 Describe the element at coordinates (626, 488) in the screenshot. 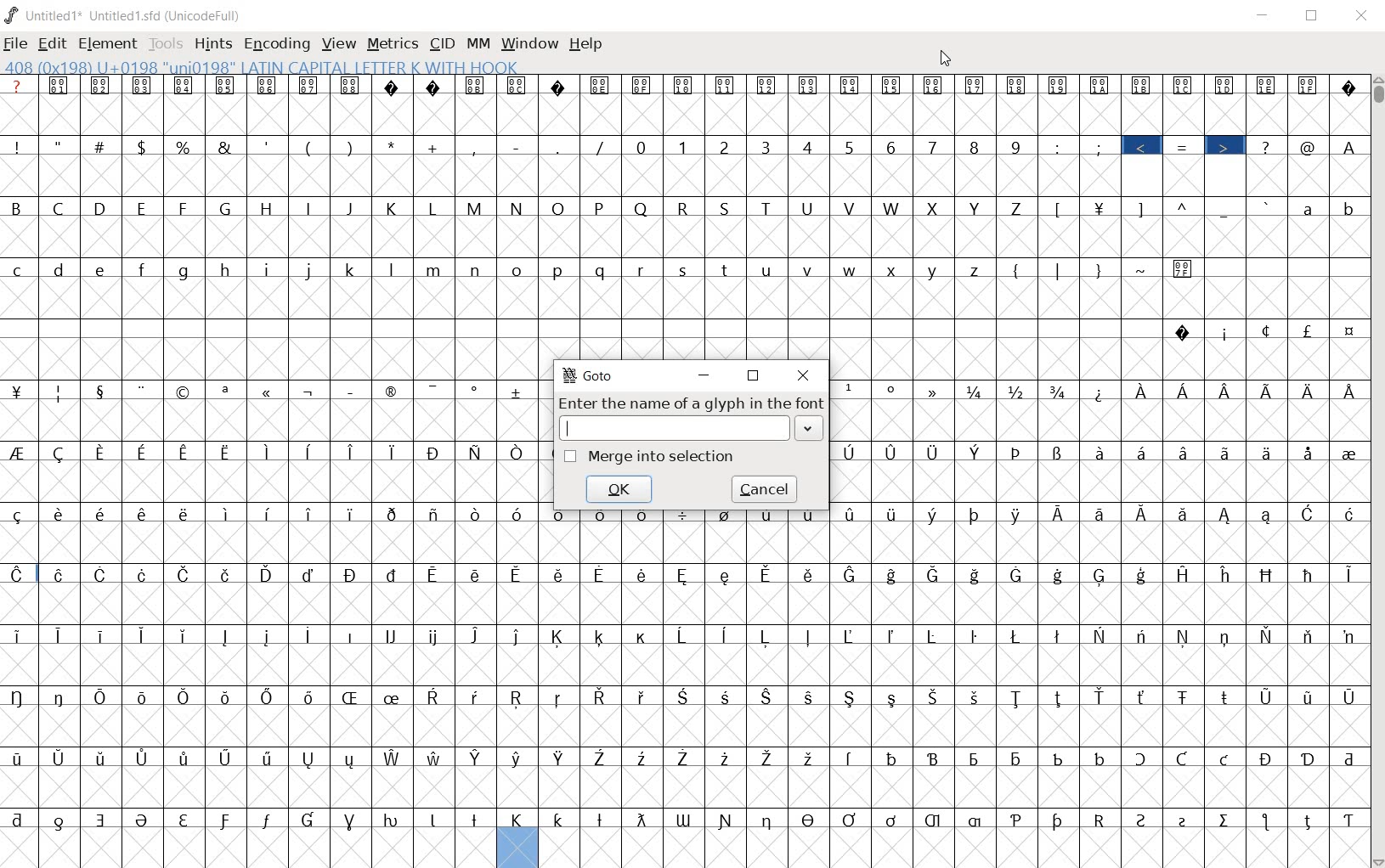

I see `ok` at that location.